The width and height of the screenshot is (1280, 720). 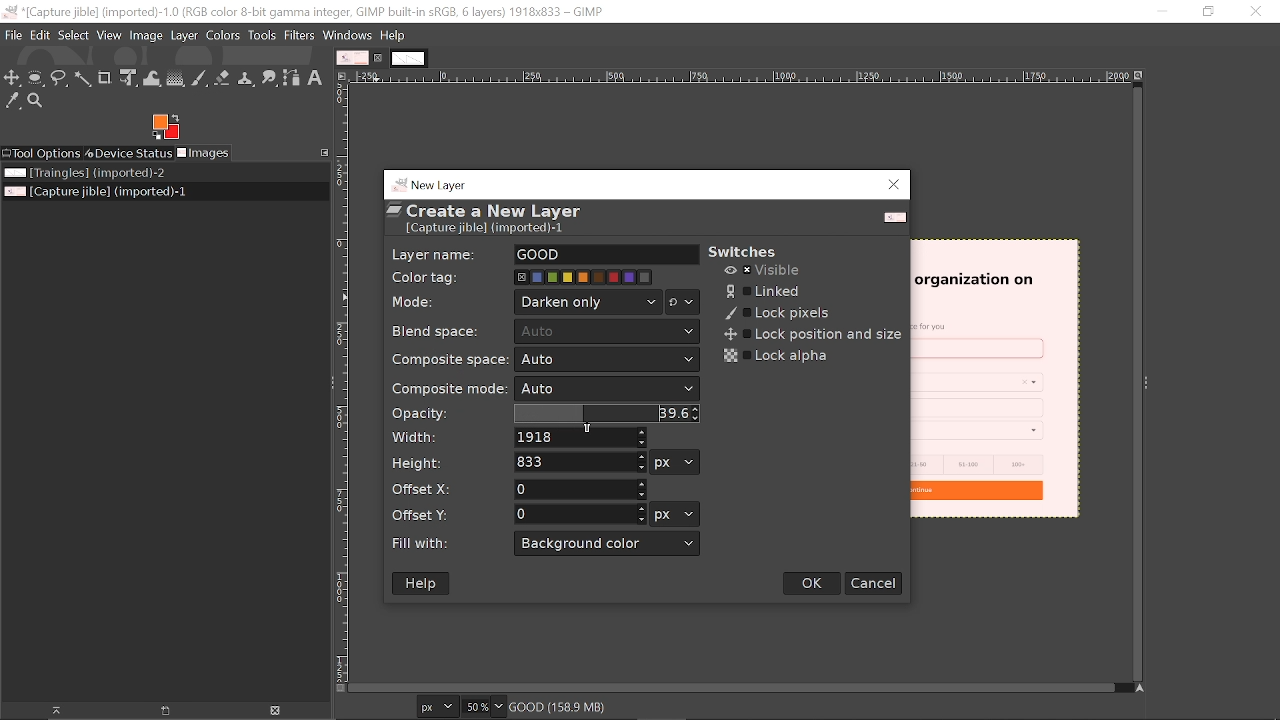 What do you see at coordinates (423, 489) in the screenshot?
I see `Offset X:` at bounding box center [423, 489].